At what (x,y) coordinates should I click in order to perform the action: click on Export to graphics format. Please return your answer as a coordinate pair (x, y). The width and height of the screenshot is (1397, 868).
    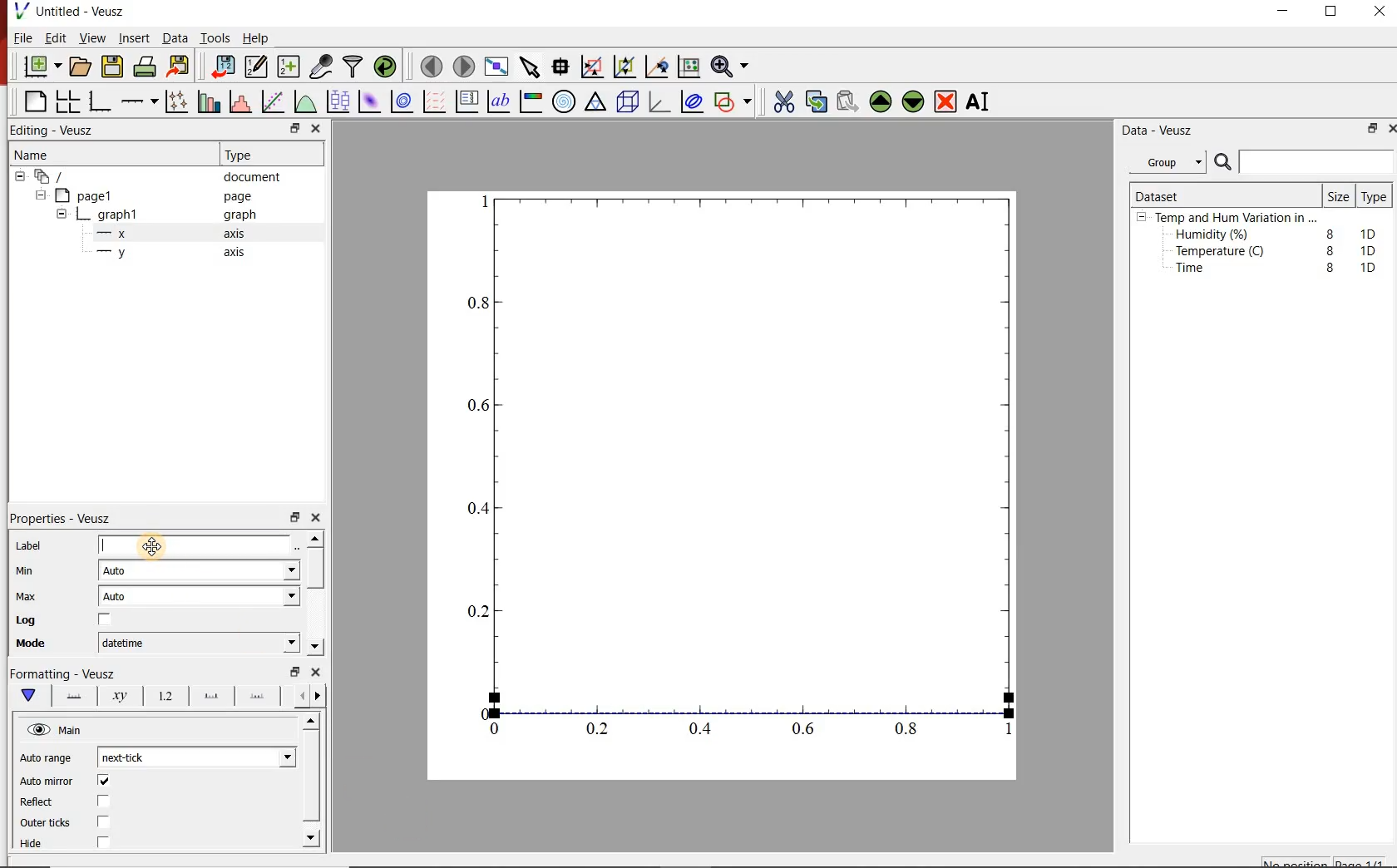
    Looking at the image, I should click on (180, 66).